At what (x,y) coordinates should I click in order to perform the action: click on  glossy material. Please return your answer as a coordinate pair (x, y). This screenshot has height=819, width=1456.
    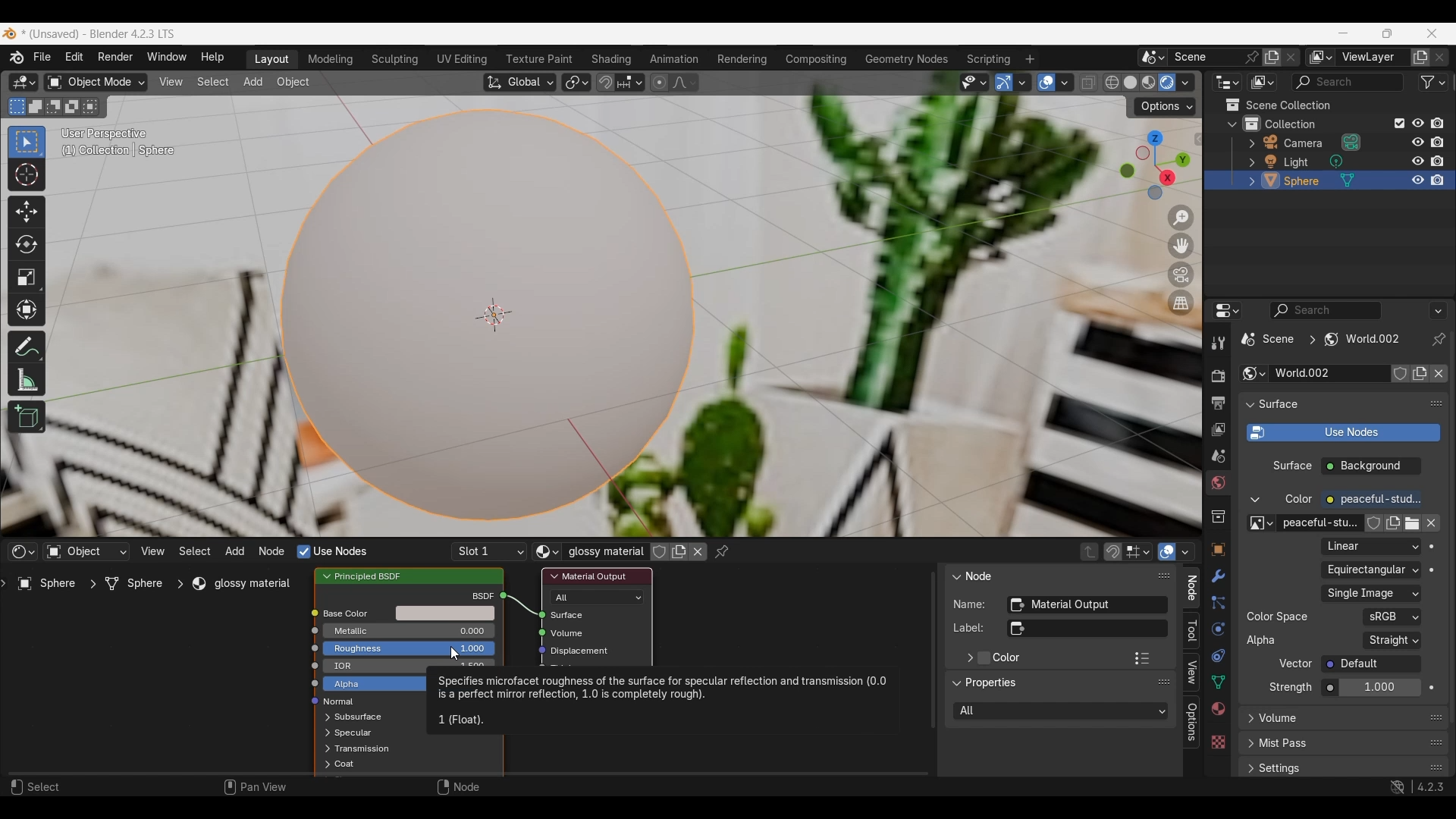
    Looking at the image, I should click on (246, 584).